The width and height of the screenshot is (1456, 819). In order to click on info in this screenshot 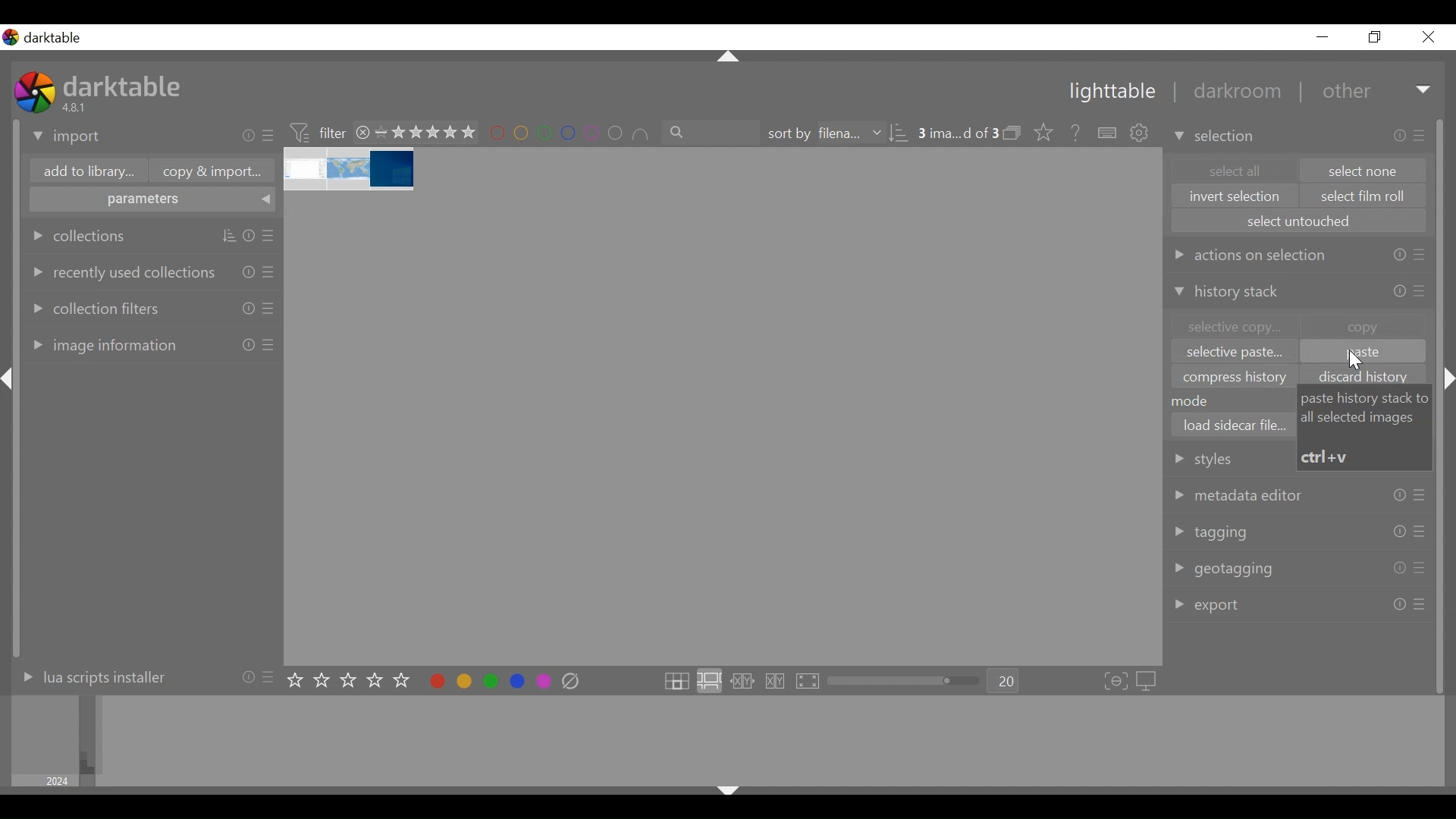, I will do `click(247, 676)`.